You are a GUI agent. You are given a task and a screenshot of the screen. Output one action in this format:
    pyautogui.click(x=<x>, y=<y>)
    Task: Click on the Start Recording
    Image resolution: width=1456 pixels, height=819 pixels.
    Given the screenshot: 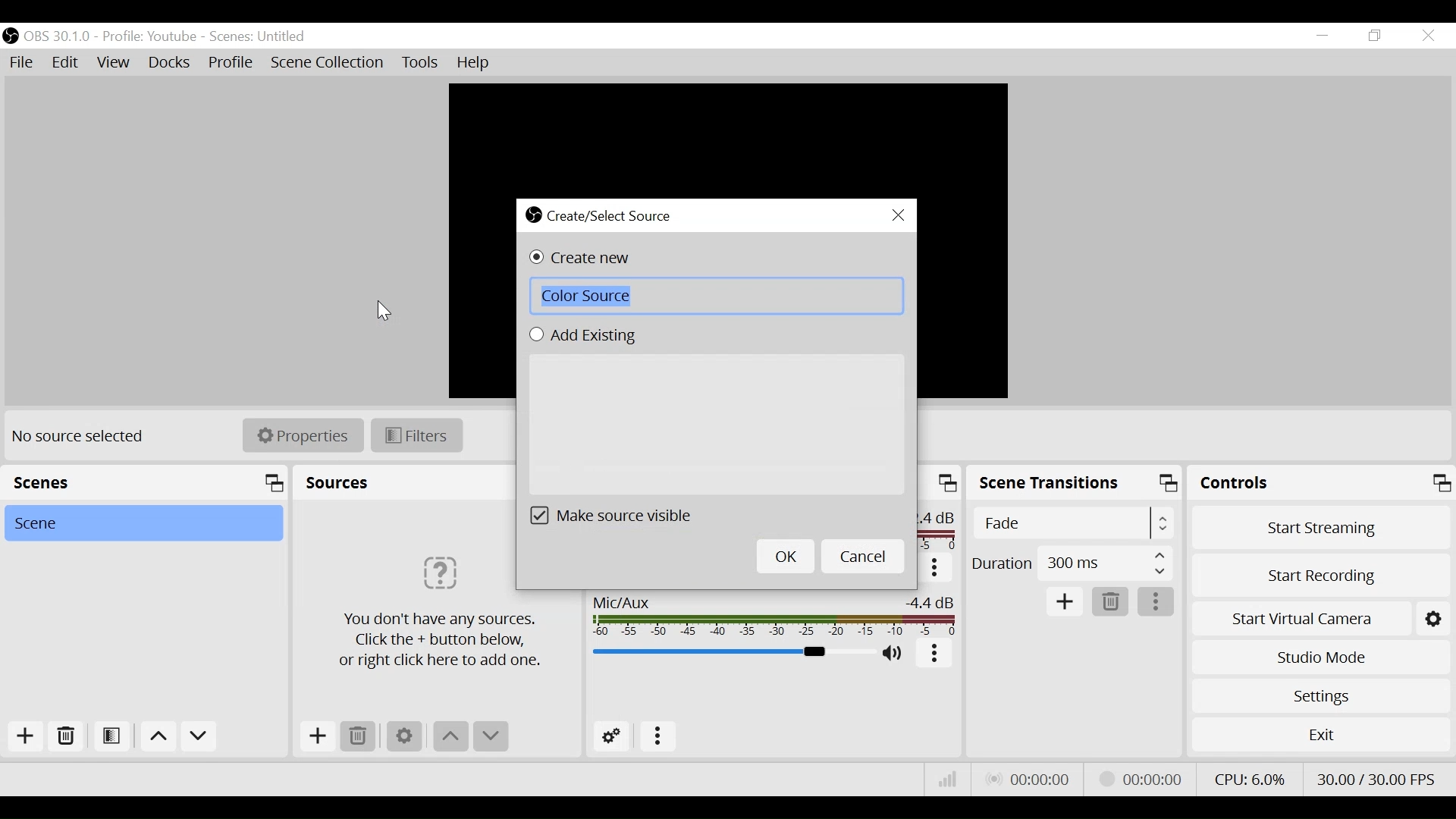 What is the action you would take?
    pyautogui.click(x=1321, y=577)
    